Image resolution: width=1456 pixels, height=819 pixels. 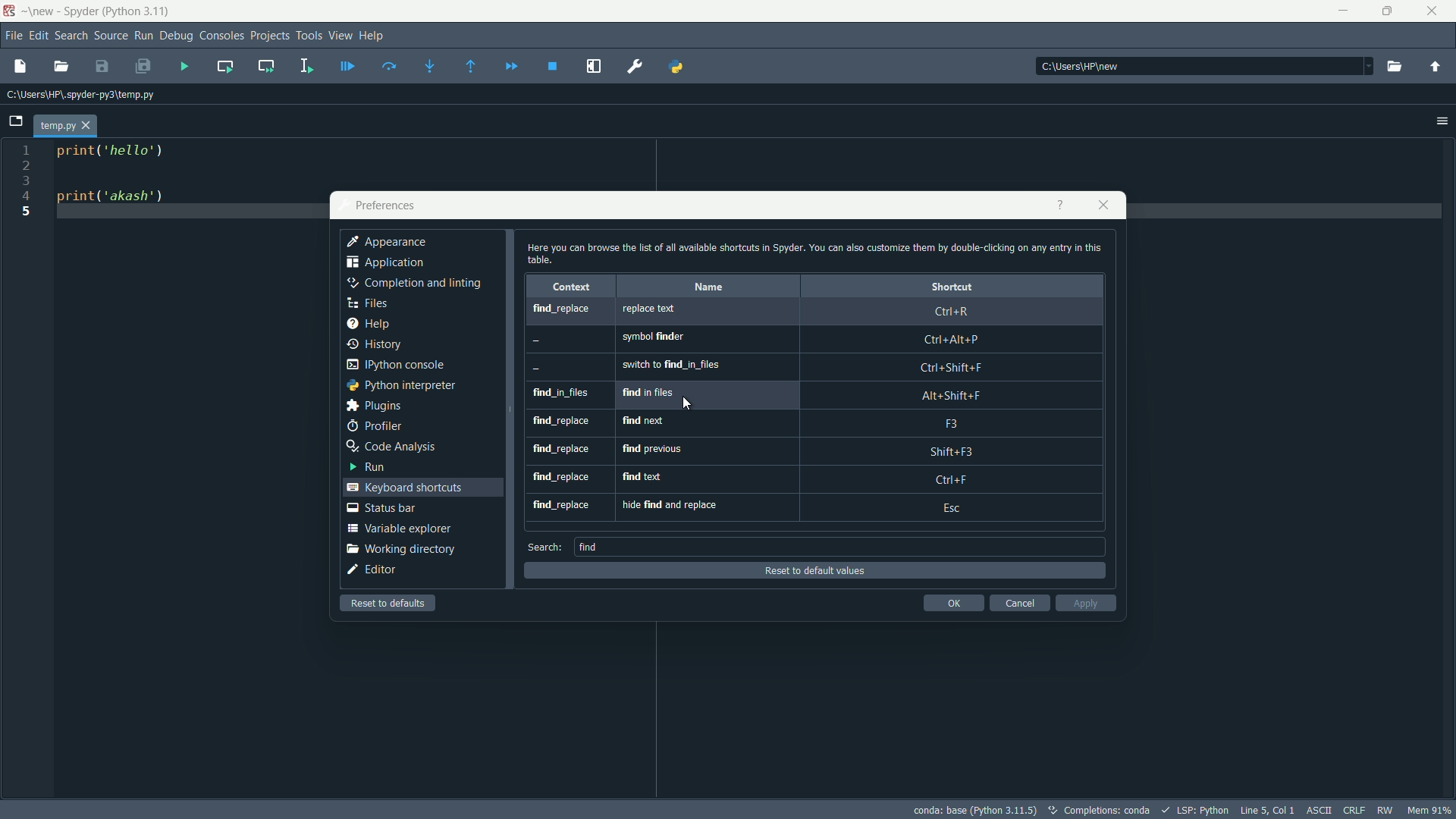 I want to click on Preferences , so click(x=635, y=67).